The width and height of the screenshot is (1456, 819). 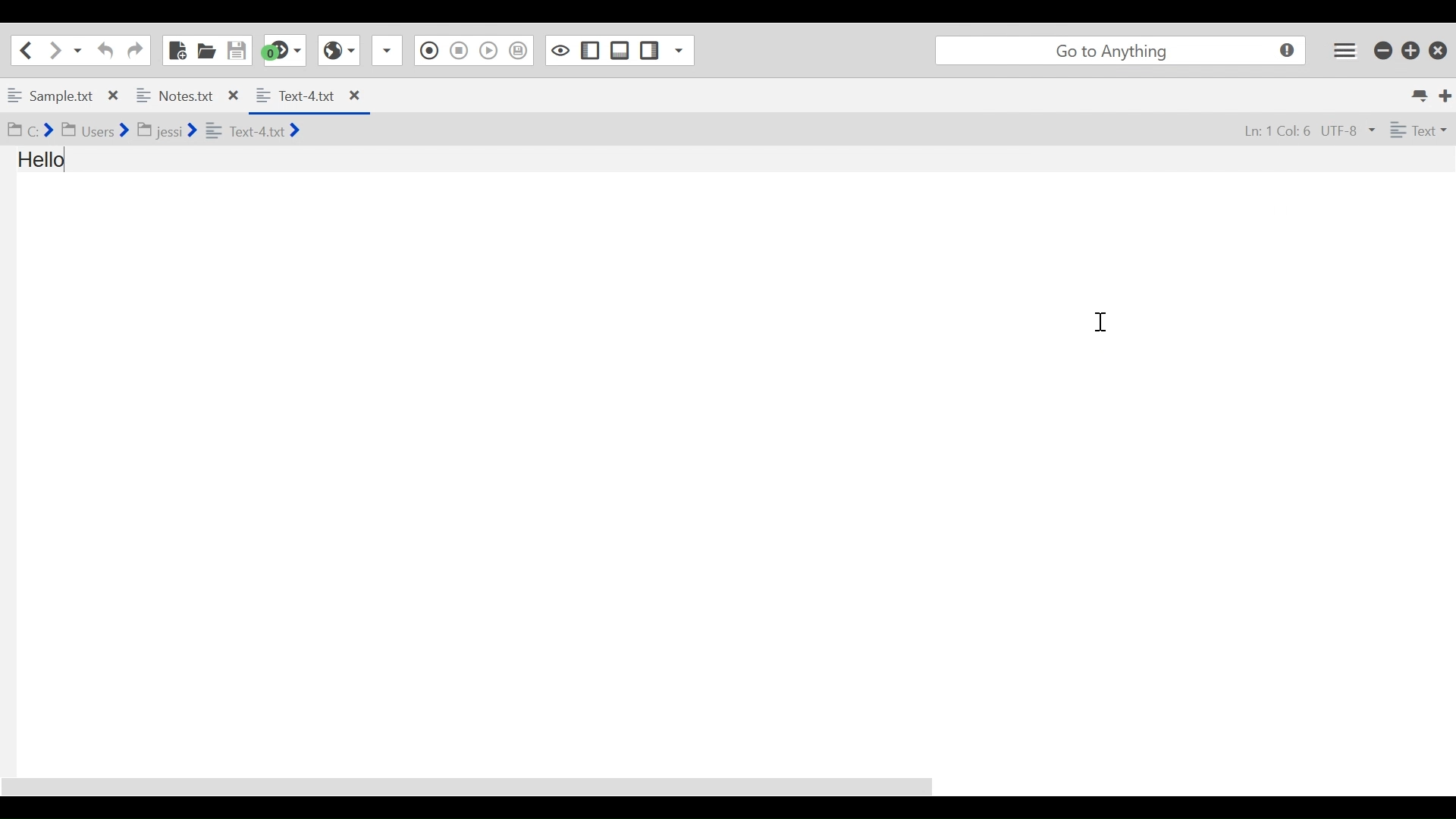 I want to click on Show/Hide Bottom Pane, so click(x=620, y=50).